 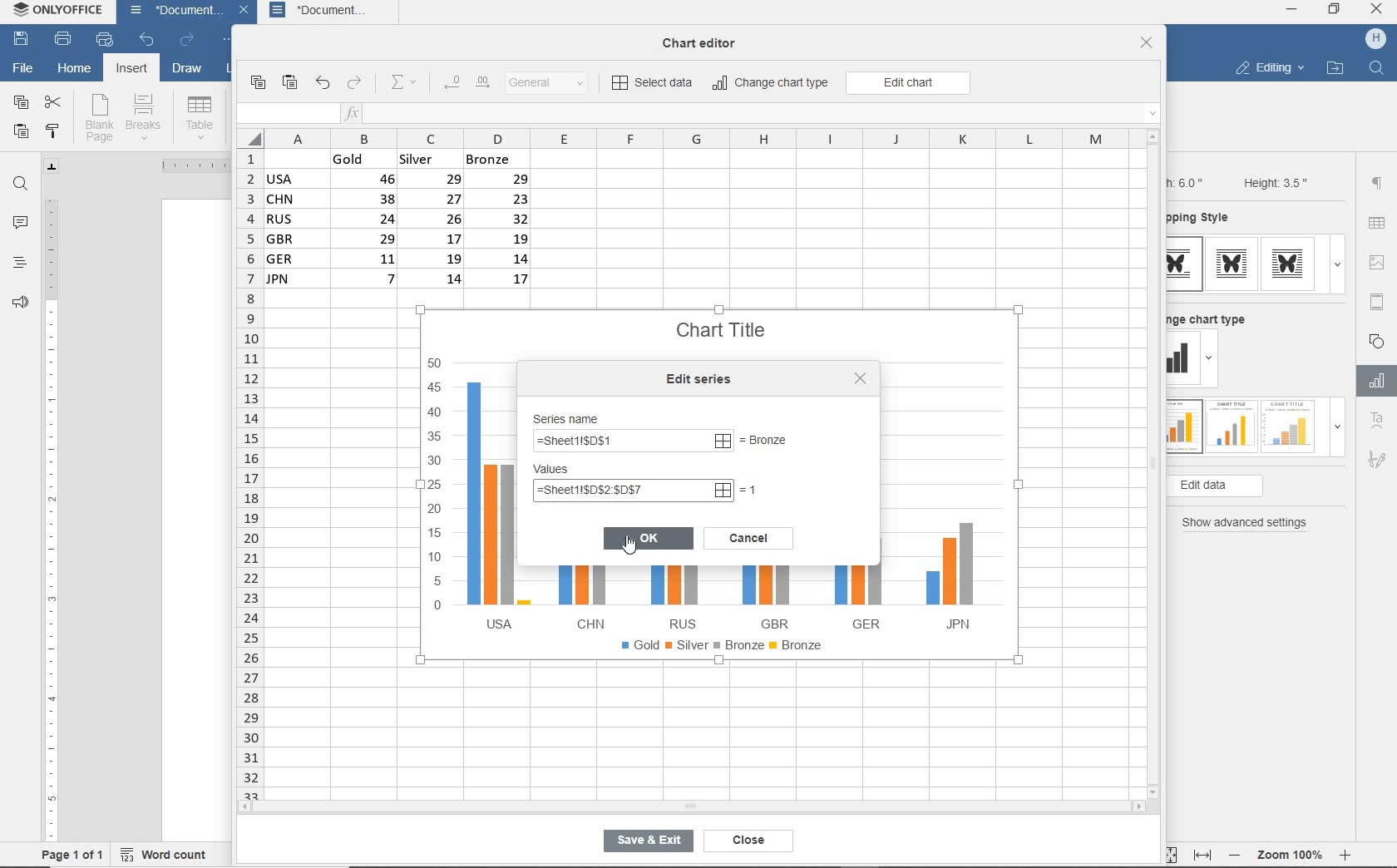 What do you see at coordinates (753, 114) in the screenshot?
I see `insert function` at bounding box center [753, 114].